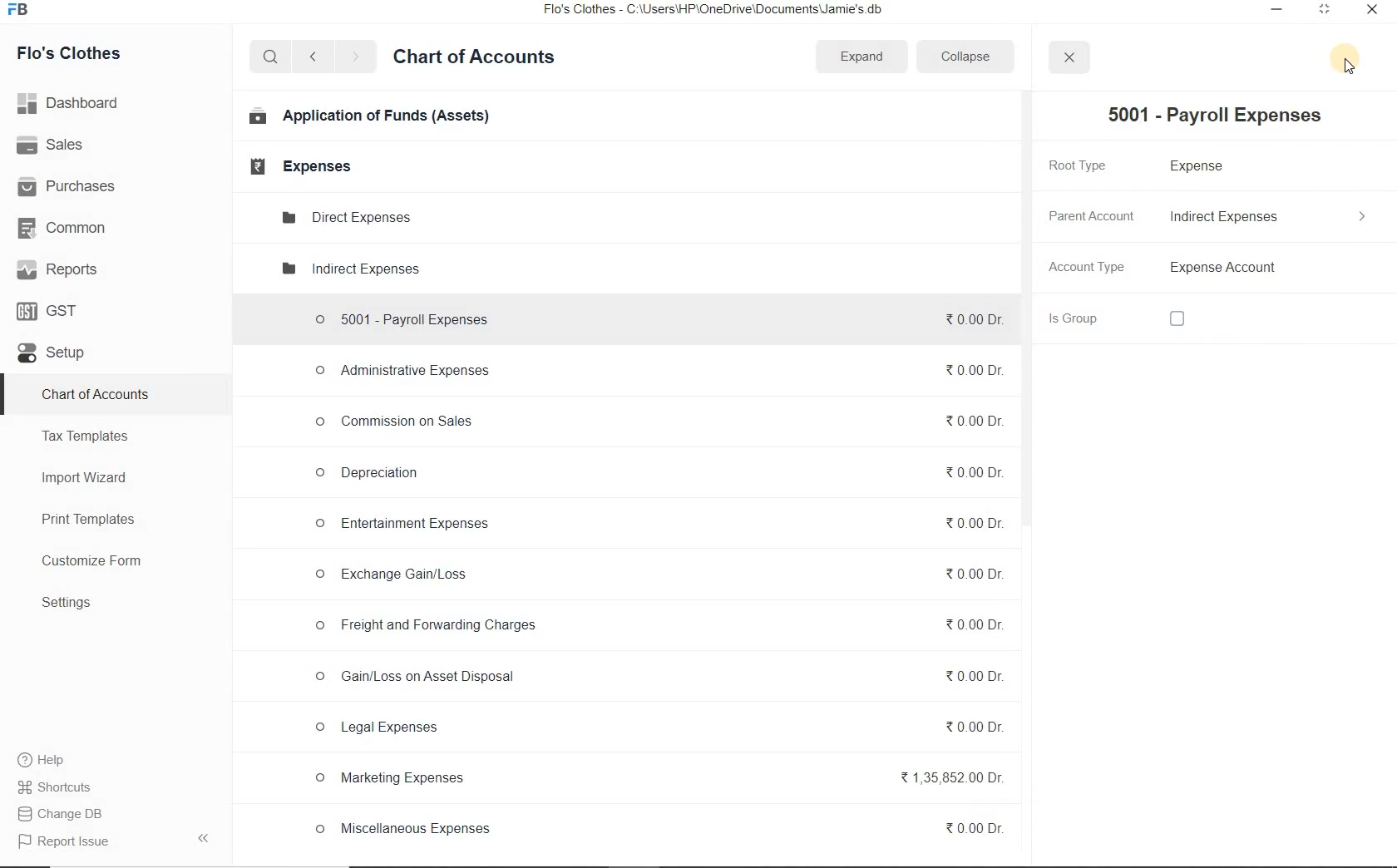 Image resolution: width=1397 pixels, height=868 pixels. What do you see at coordinates (656, 679) in the screenshot?
I see `© Gain/Loss on Asset Disposal %0.00Dr.` at bounding box center [656, 679].